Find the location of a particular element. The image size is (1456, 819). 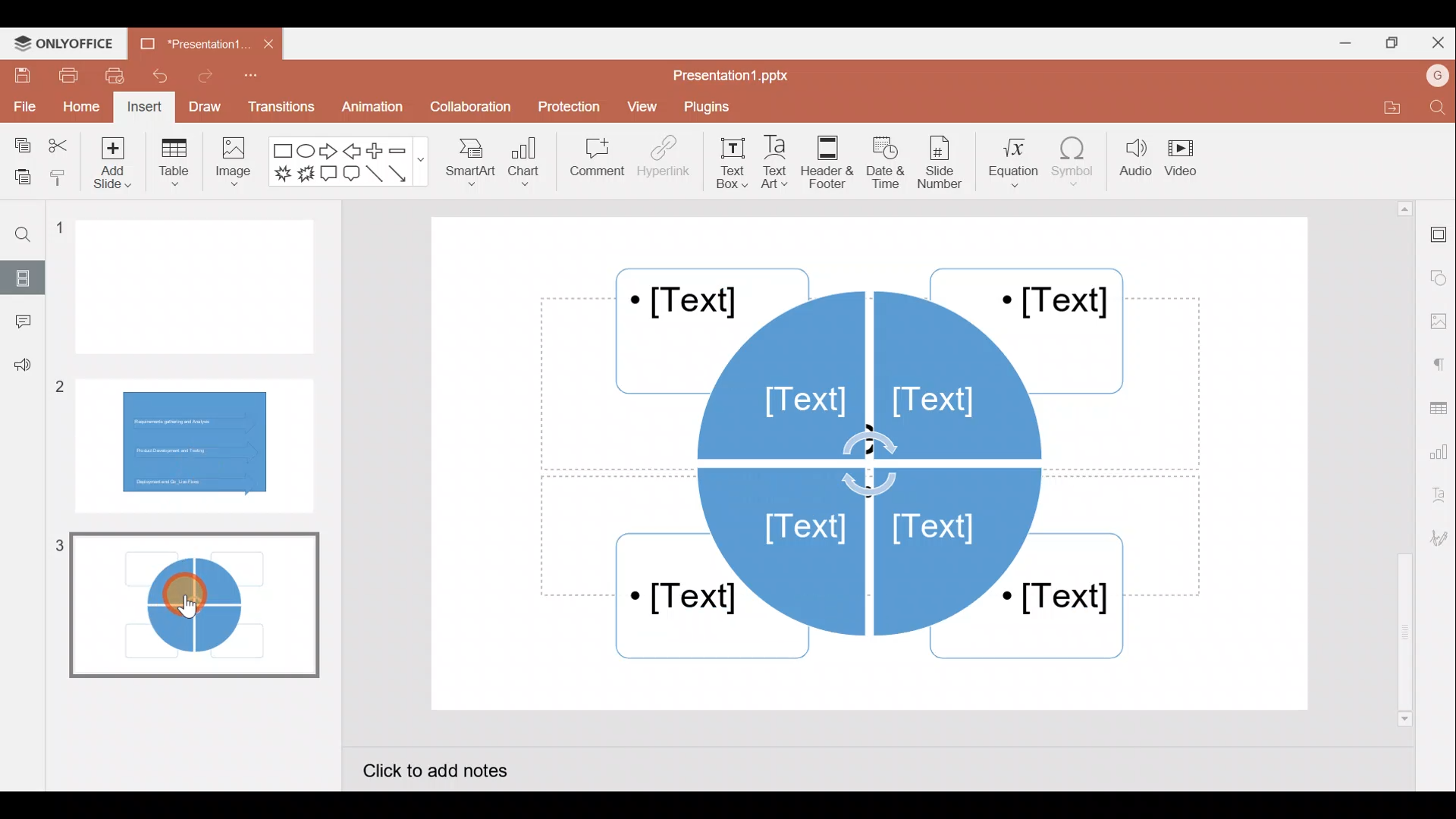

Table settings is located at coordinates (1439, 408).